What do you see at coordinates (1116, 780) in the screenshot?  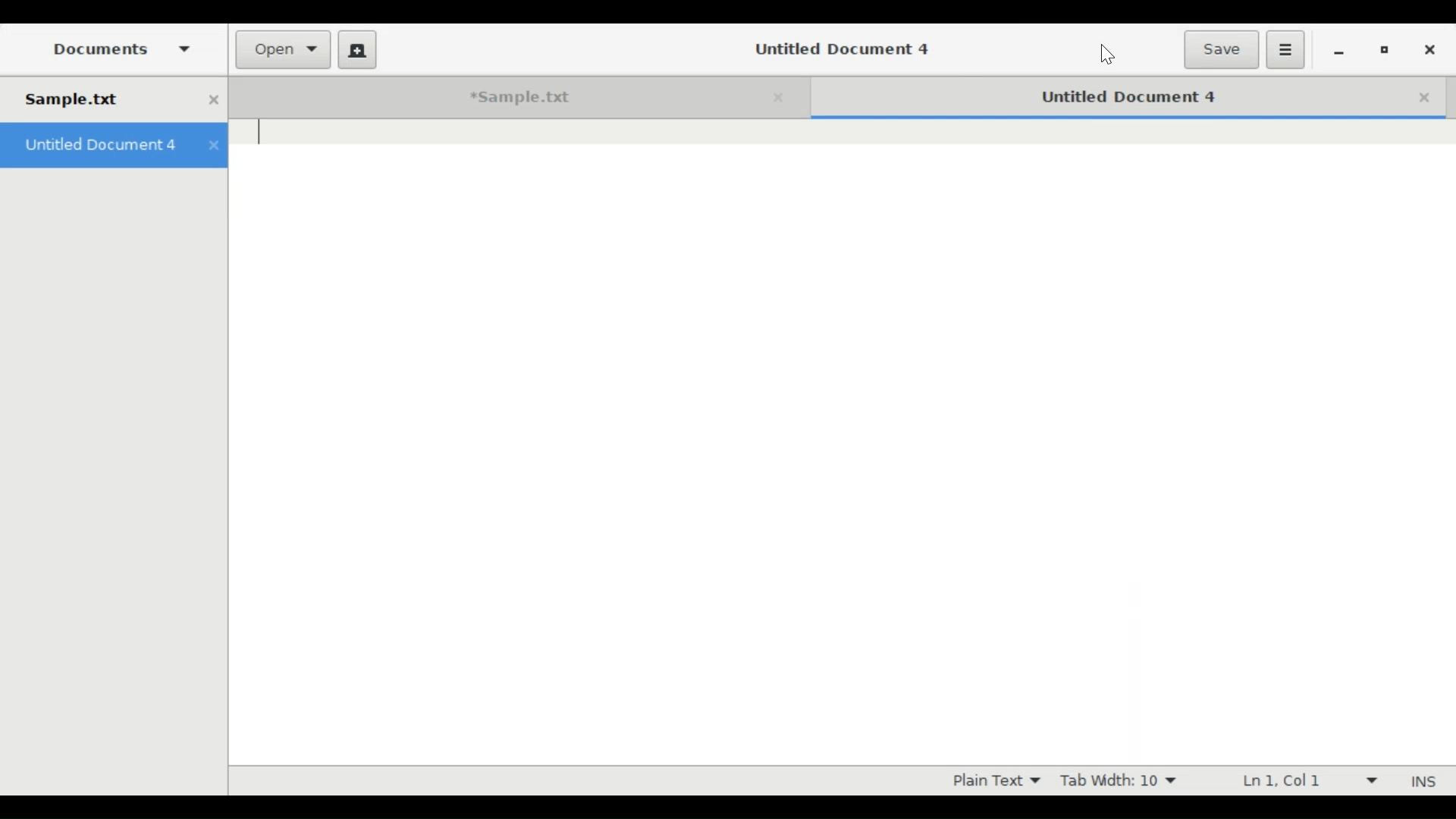 I see `Tab Width: 10` at bounding box center [1116, 780].